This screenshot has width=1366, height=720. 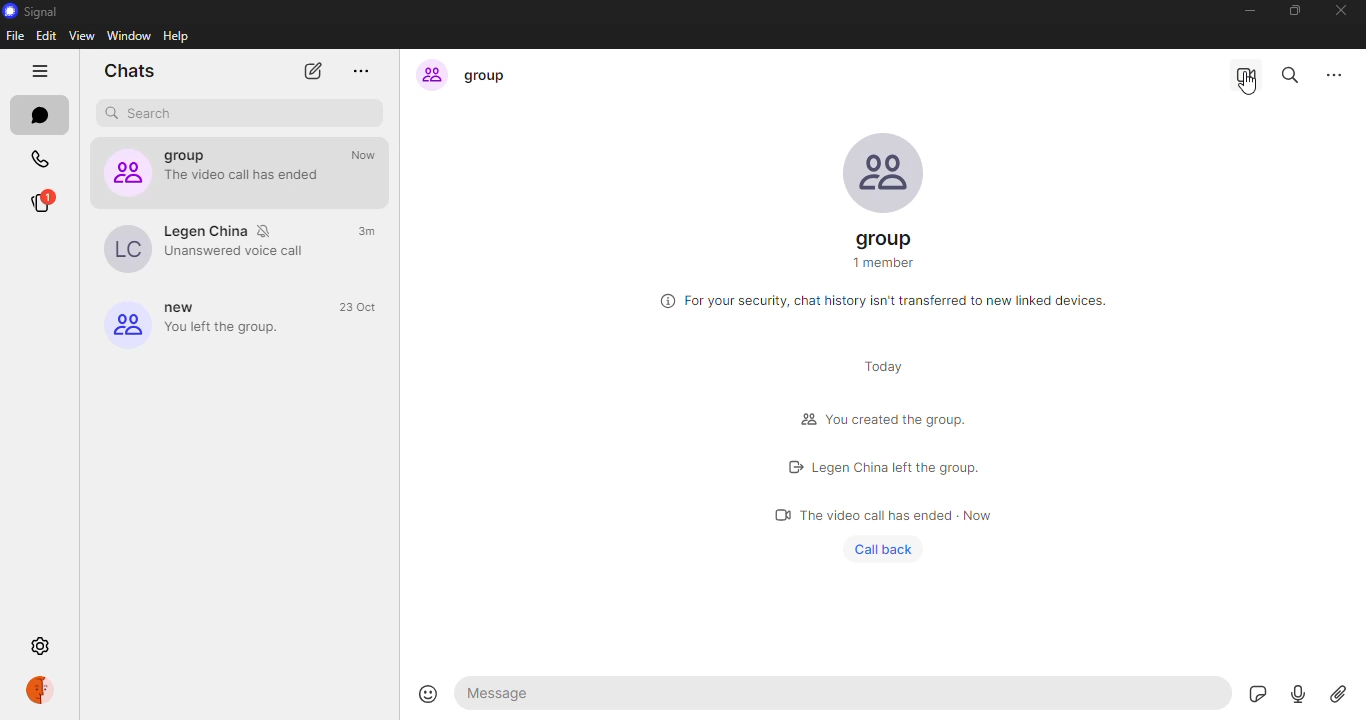 I want to click on chats, so click(x=41, y=118).